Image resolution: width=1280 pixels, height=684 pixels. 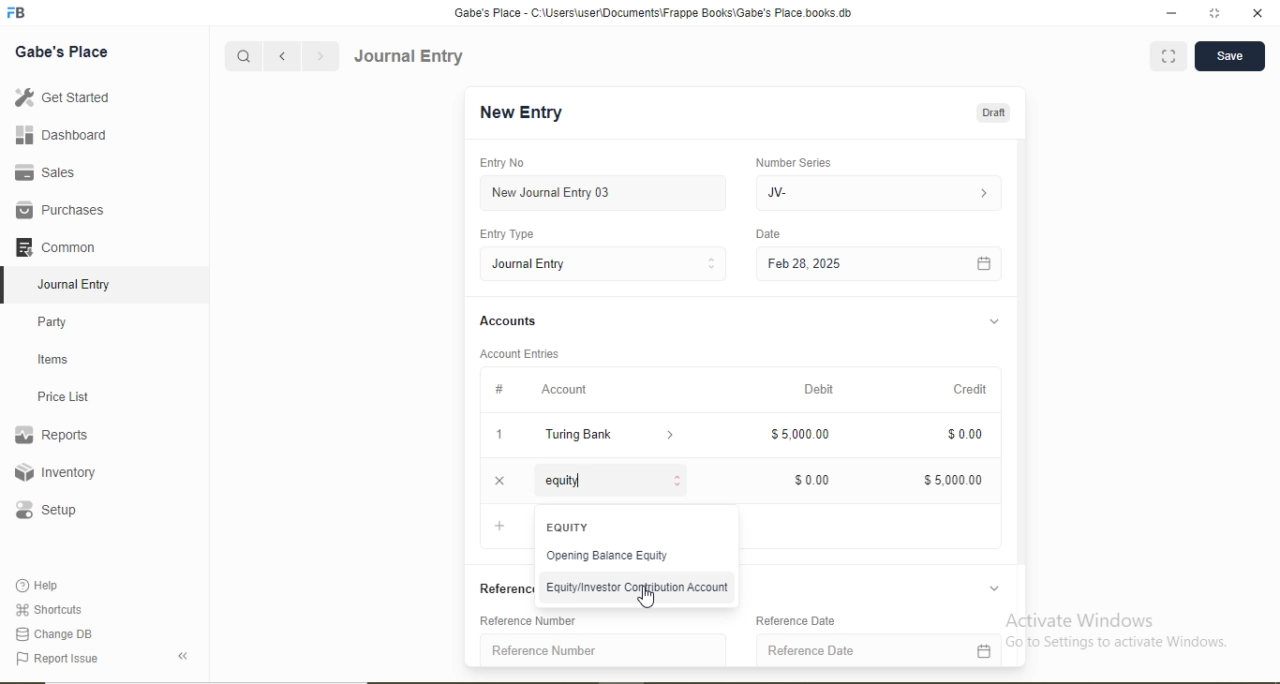 I want to click on equity, so click(x=568, y=480).